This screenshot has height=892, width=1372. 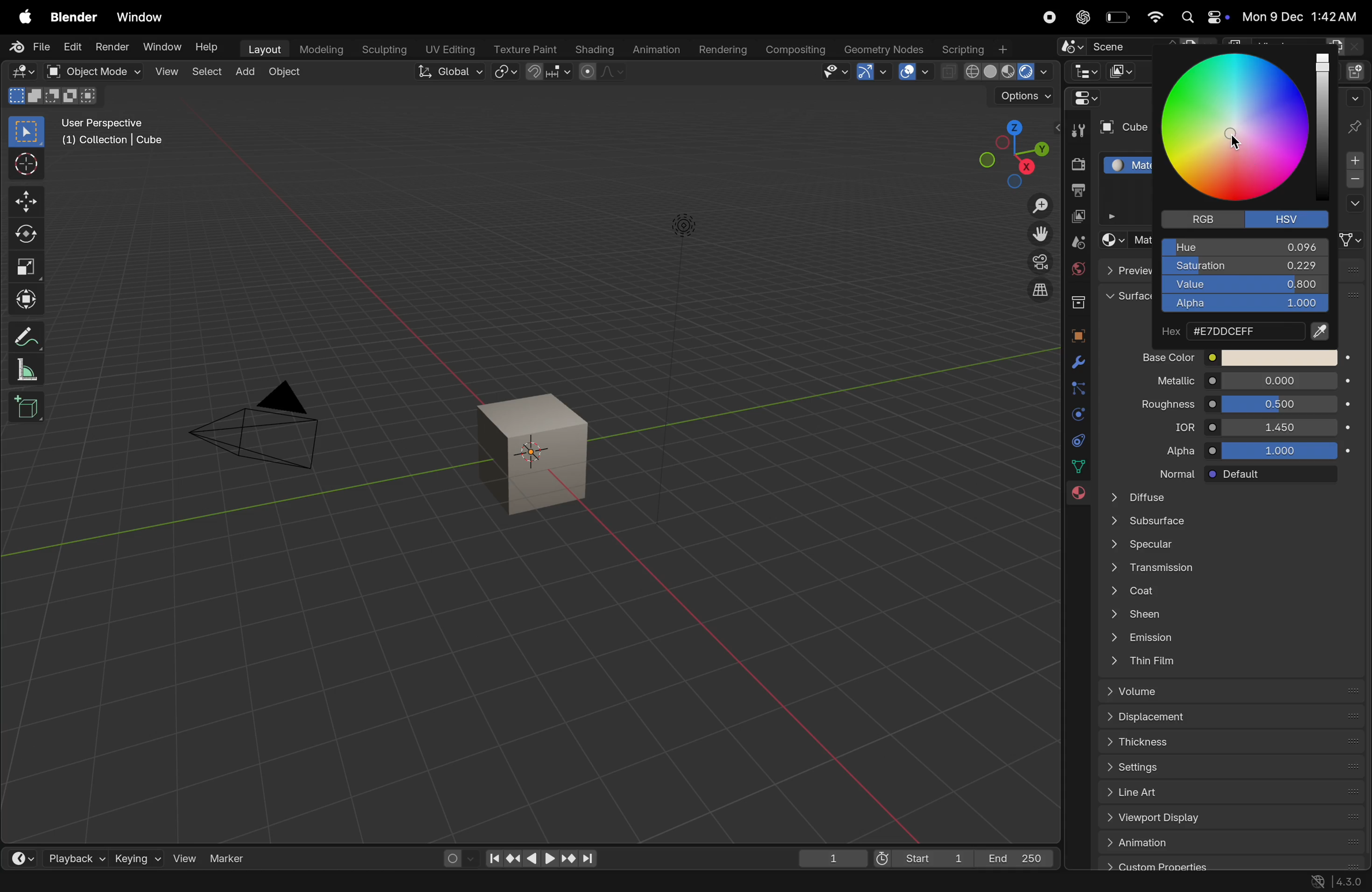 I want to click on o.oo, so click(x=1280, y=381).